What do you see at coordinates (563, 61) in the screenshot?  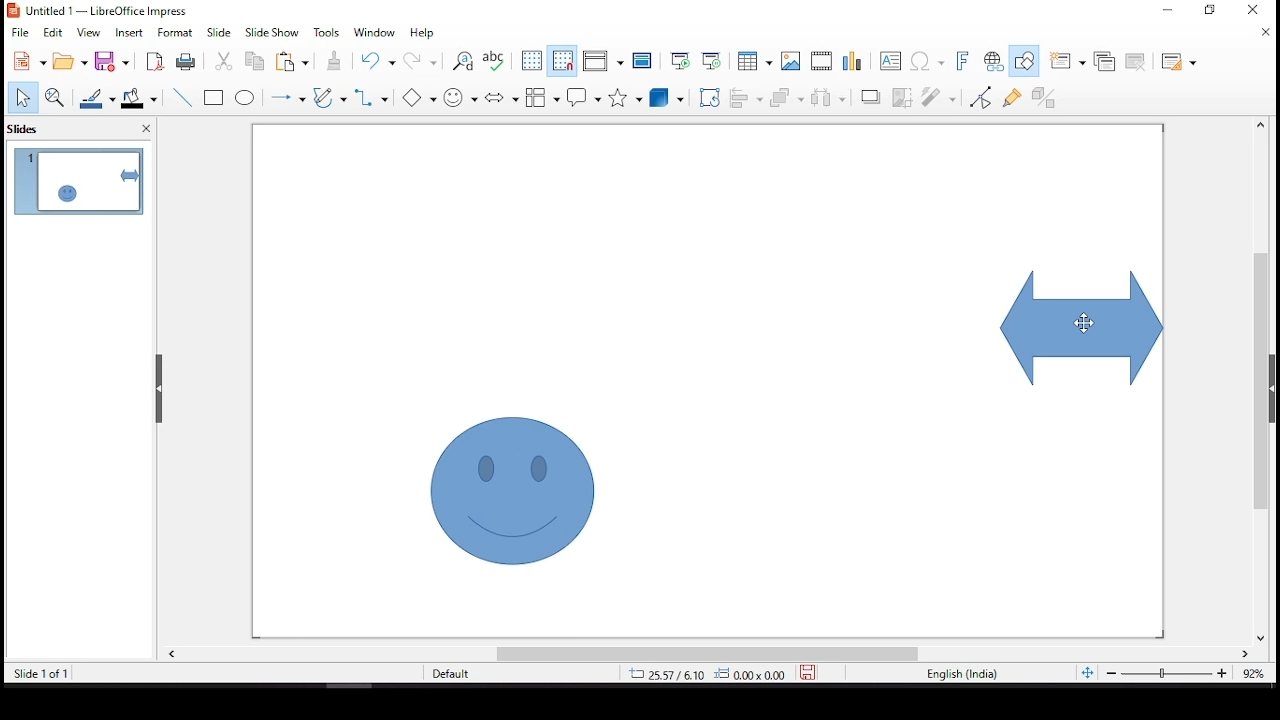 I see `snap to grid` at bounding box center [563, 61].